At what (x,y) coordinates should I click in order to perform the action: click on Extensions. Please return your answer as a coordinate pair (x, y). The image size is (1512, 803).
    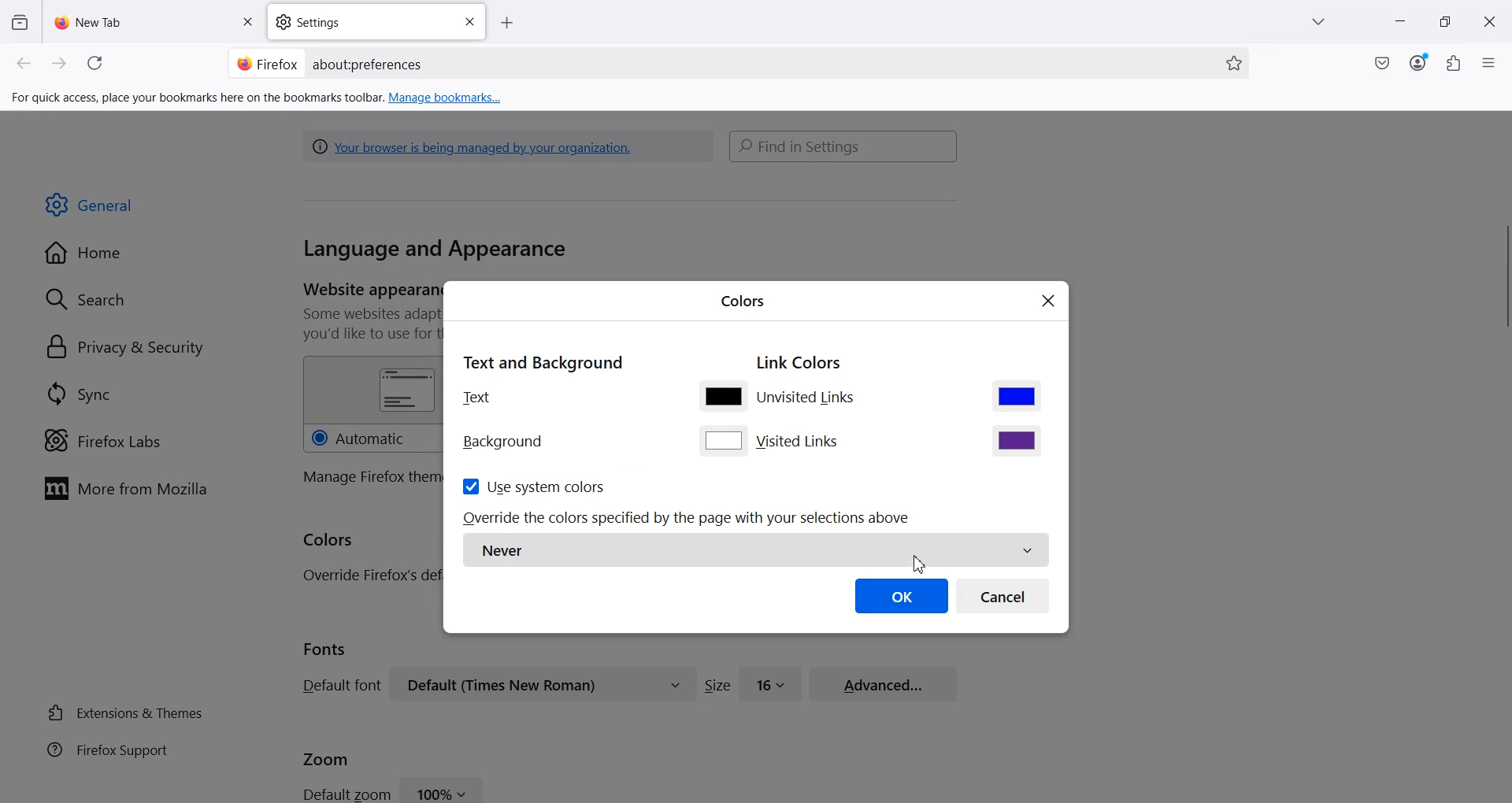
    Looking at the image, I should click on (1455, 63).